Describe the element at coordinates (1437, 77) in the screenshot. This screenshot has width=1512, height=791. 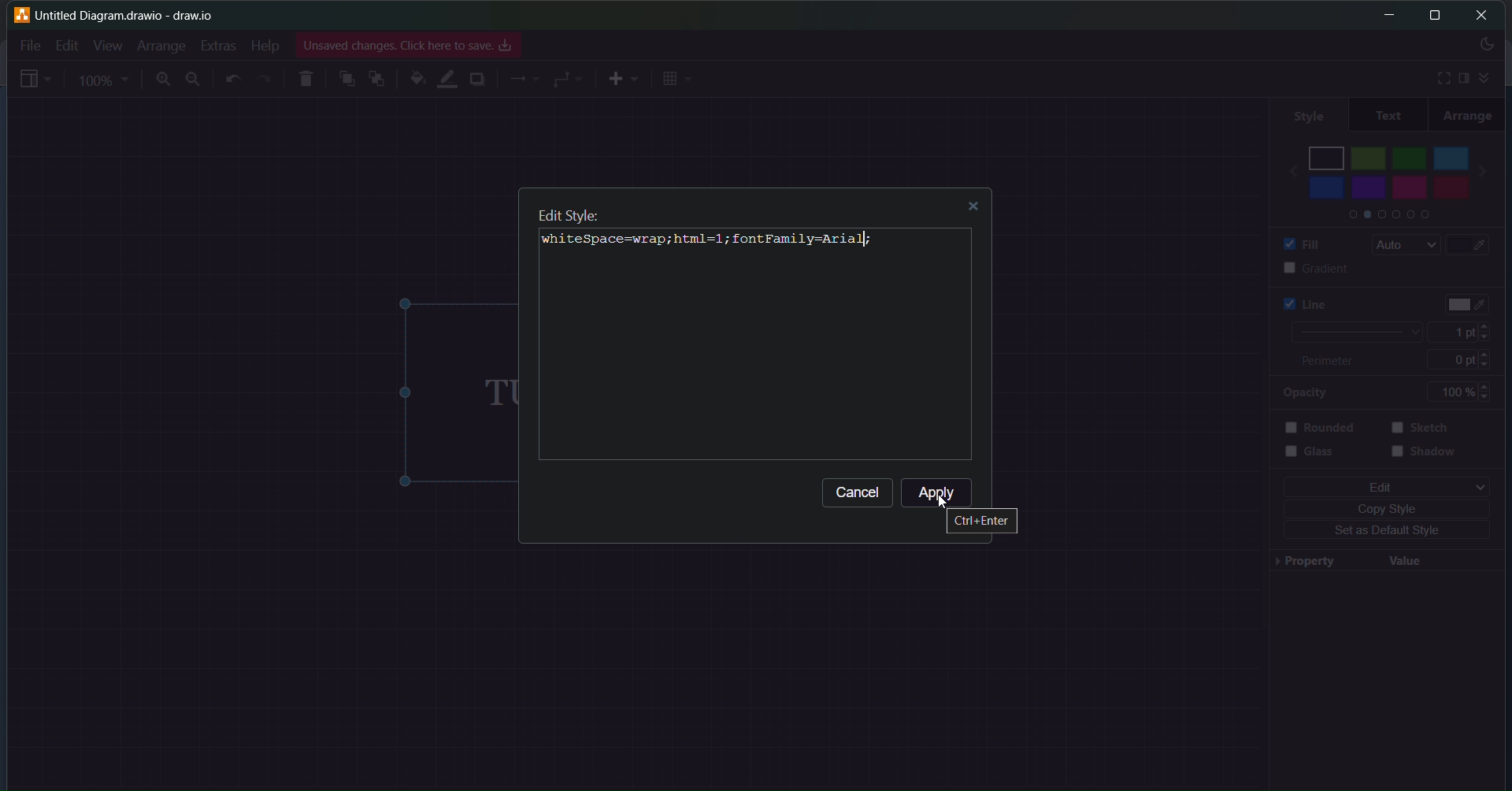
I see `fullscreen` at that location.